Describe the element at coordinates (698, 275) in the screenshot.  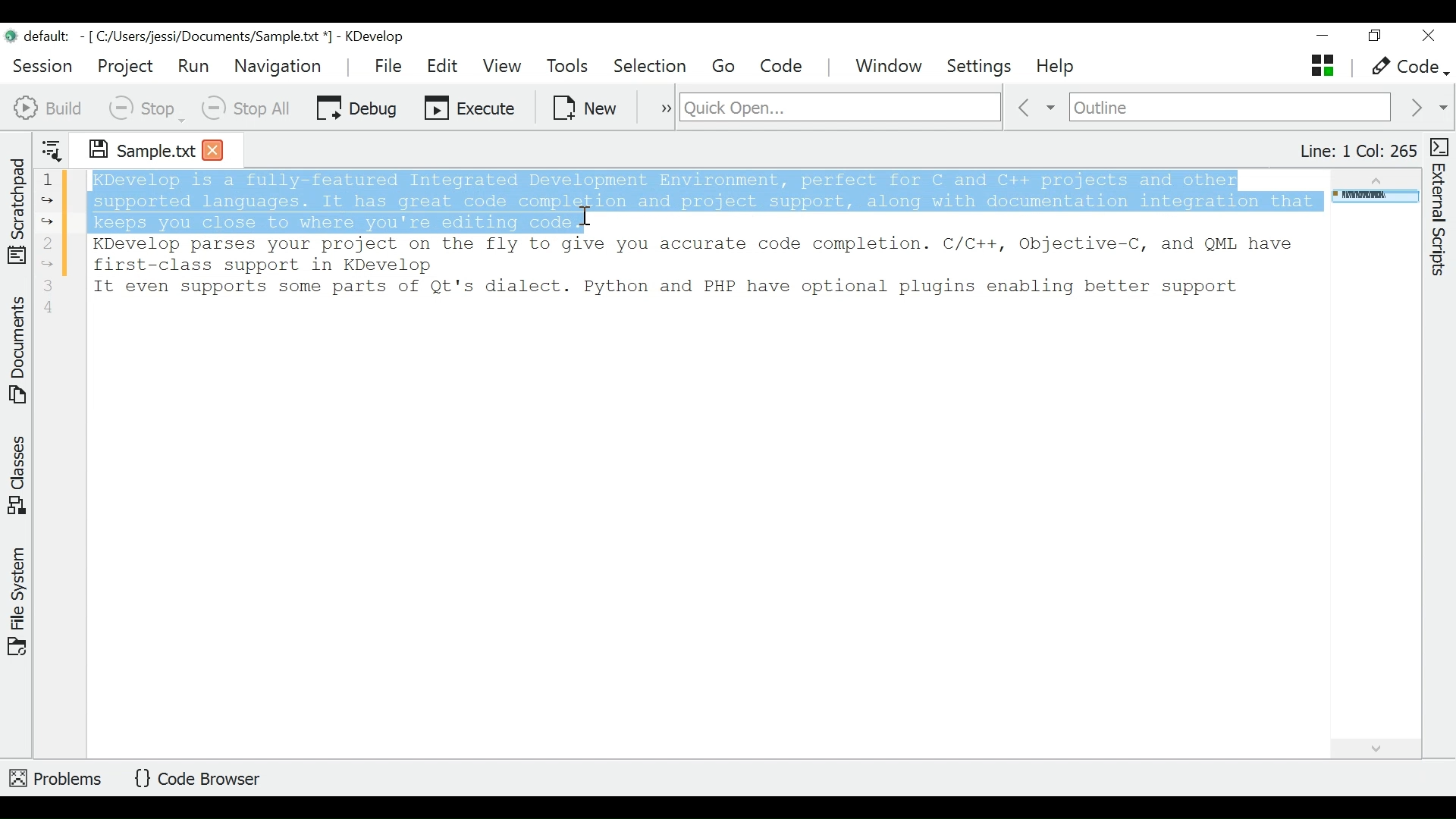
I see `2 KDevelop parses your project on the fly to give you accurate code completion. C/C++, Objective-C, and QML have first-class support in KDevelop. 3 It even supports some parts of Qt's dialect. Python and PHP have optional plugins enabling better support` at that location.